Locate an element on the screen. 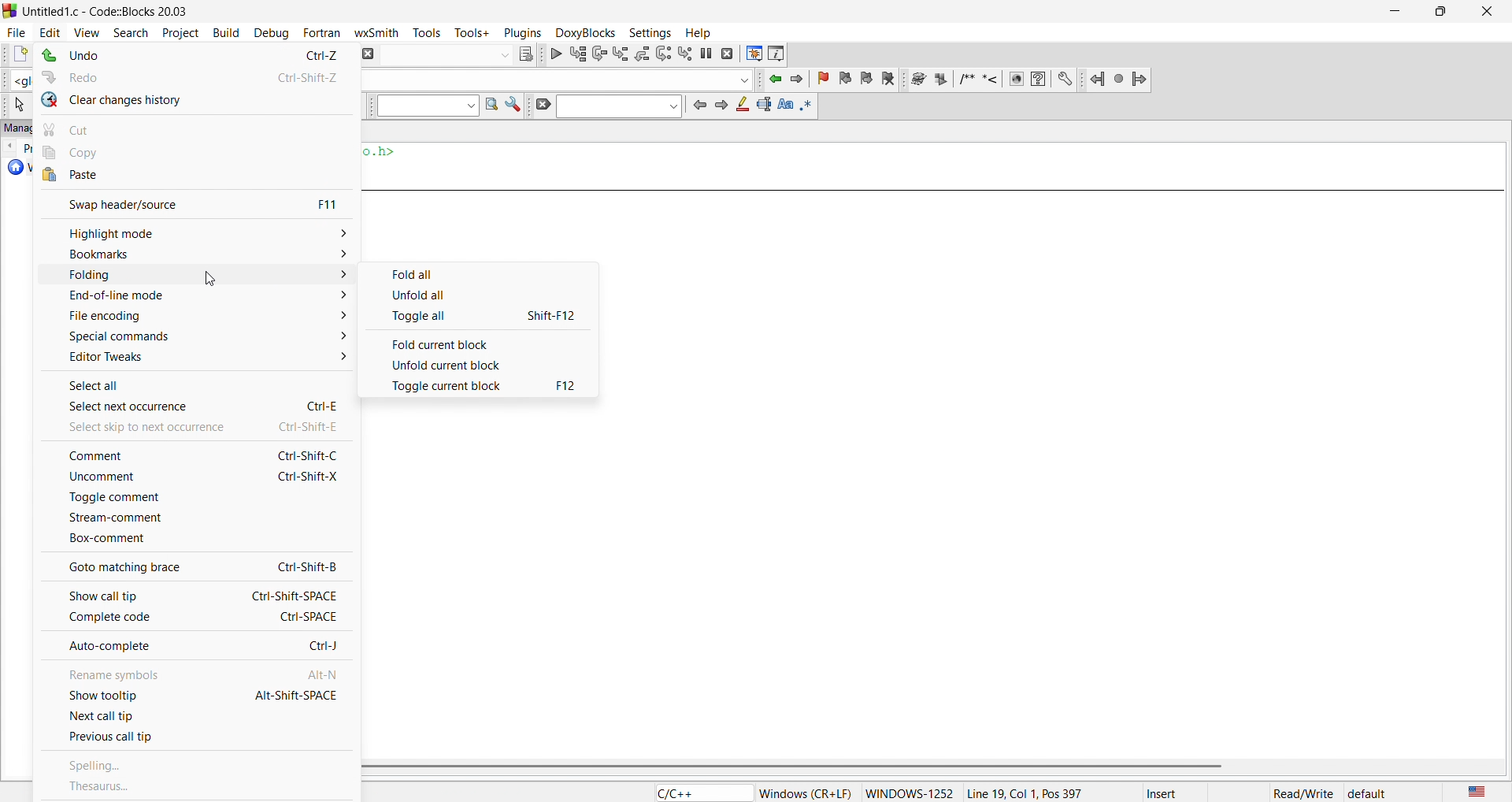 The width and height of the screenshot is (1512, 802). next bookmark is located at coordinates (868, 77).